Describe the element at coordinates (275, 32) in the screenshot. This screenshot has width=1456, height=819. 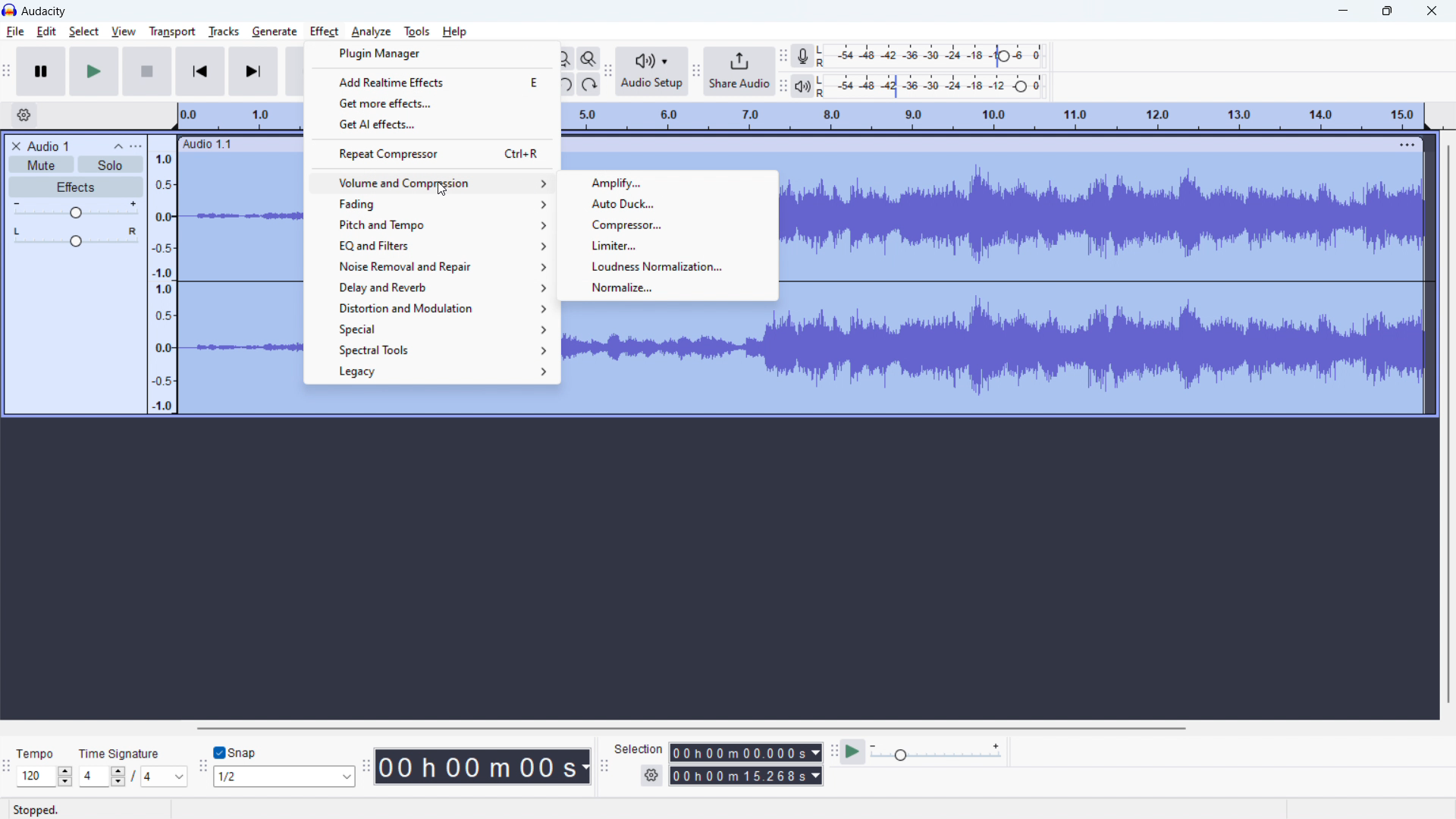
I see `generate` at that location.